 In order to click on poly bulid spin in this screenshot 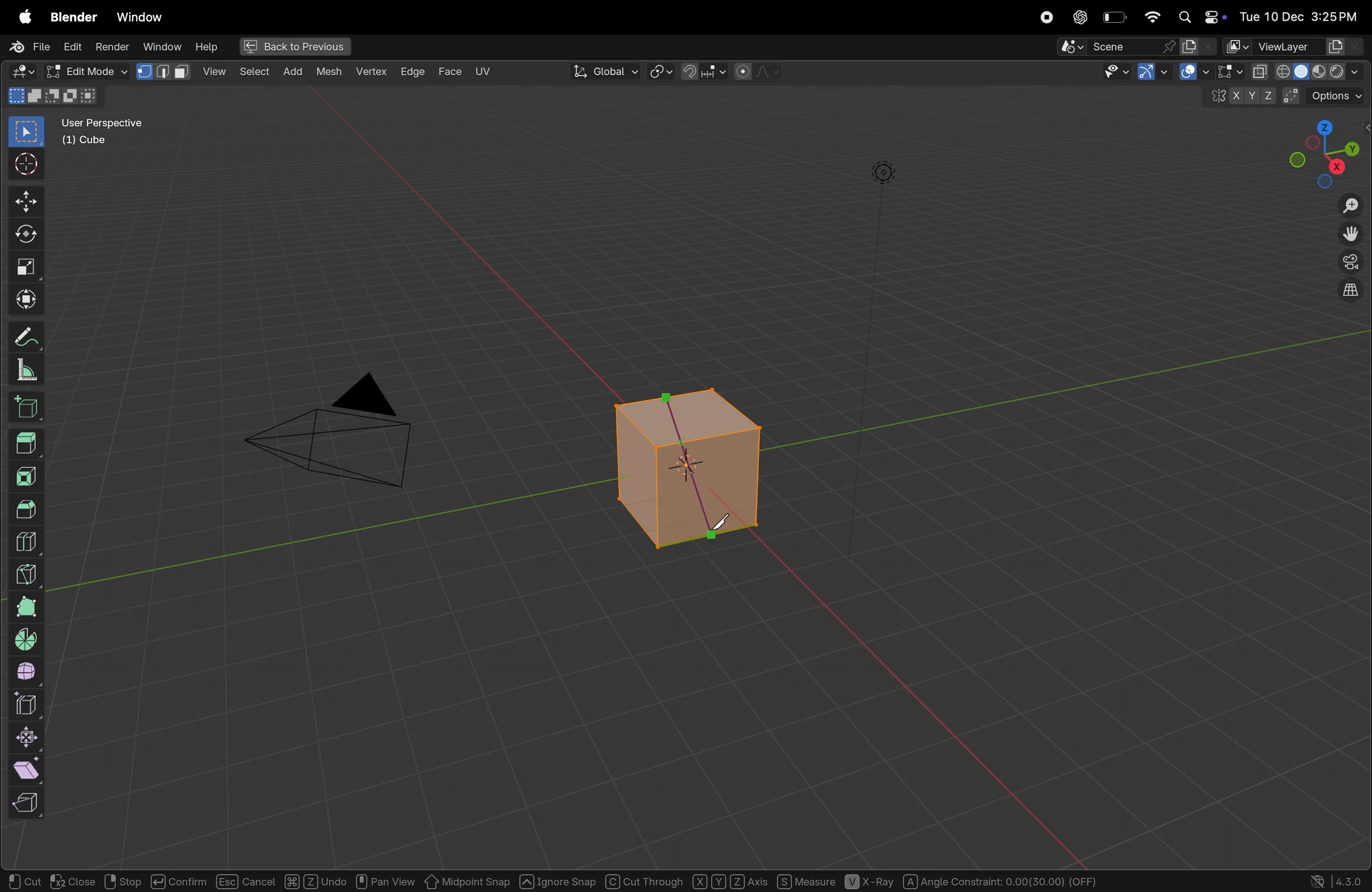, I will do `click(26, 607)`.